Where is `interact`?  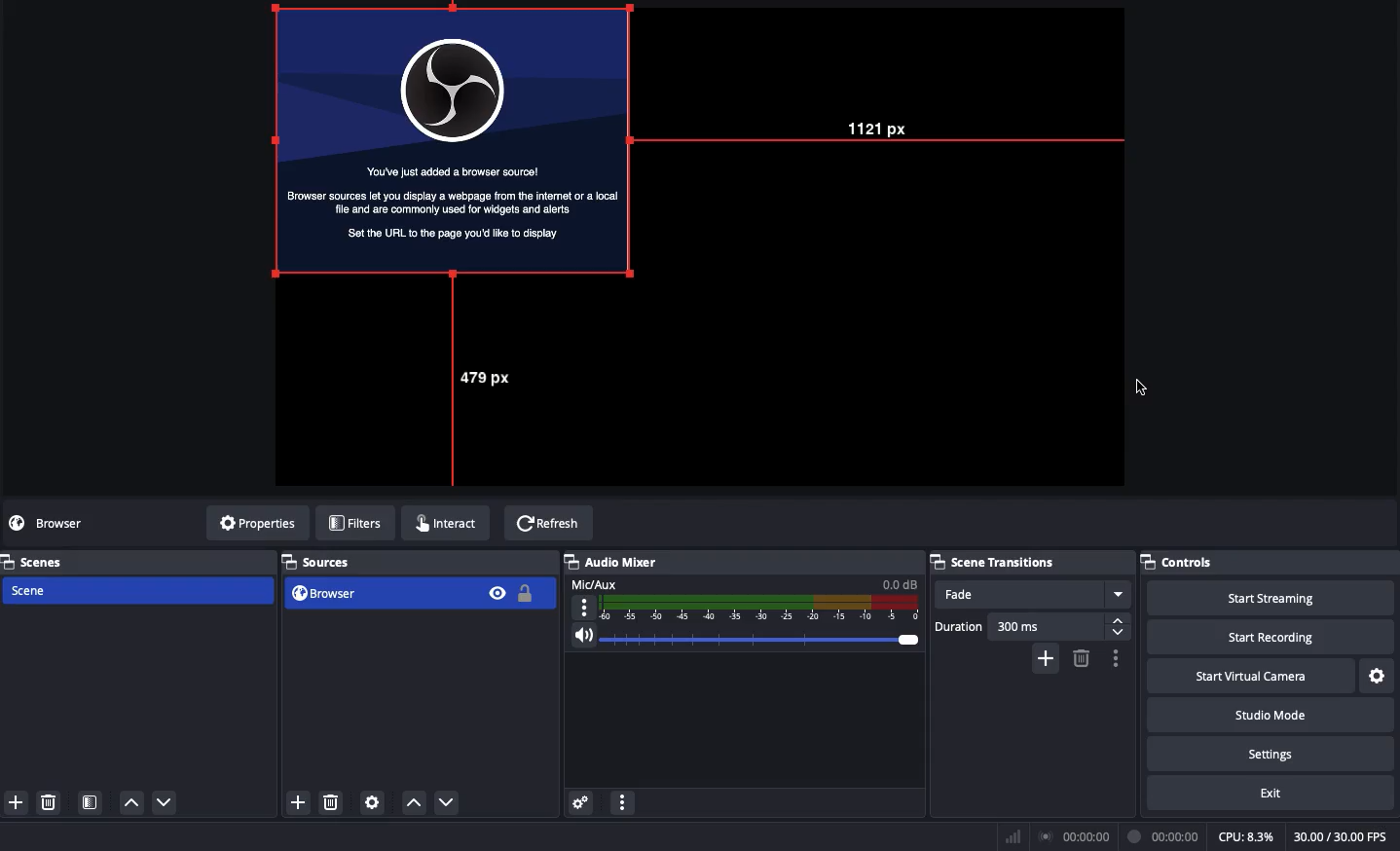 interact is located at coordinates (439, 520).